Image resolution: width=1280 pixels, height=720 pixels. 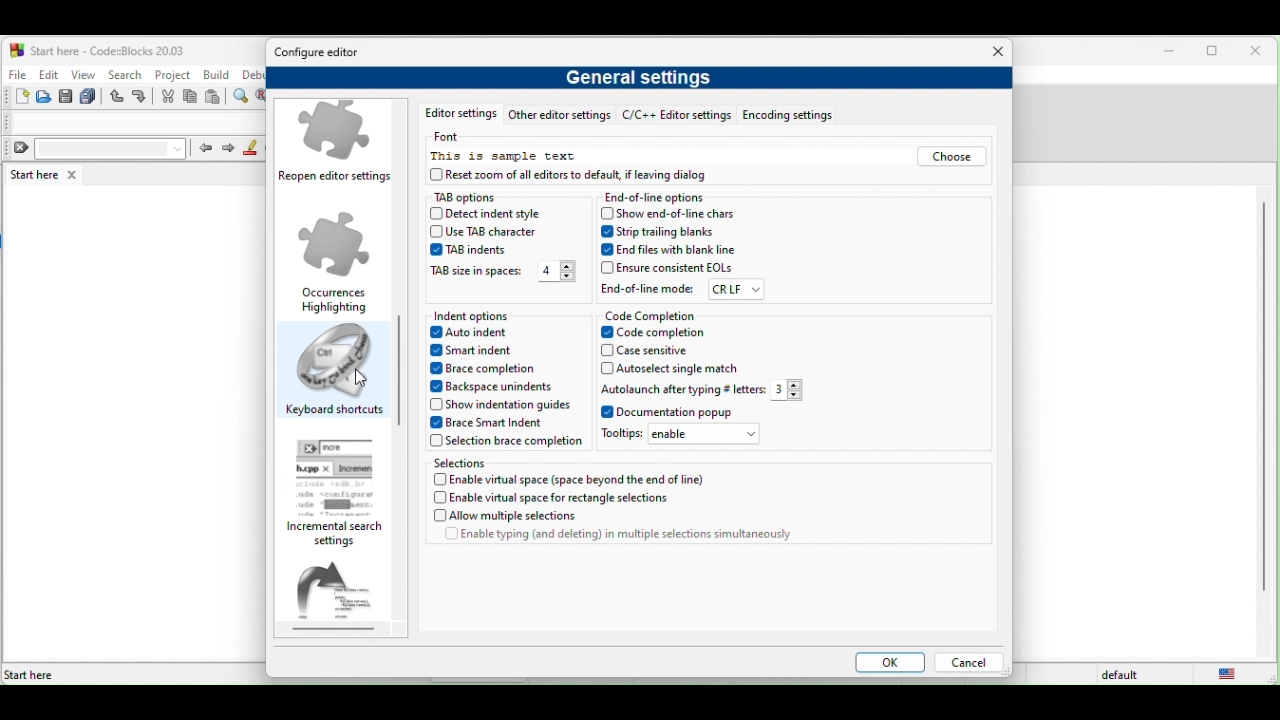 What do you see at coordinates (552, 517) in the screenshot?
I see `allow multiple selections` at bounding box center [552, 517].